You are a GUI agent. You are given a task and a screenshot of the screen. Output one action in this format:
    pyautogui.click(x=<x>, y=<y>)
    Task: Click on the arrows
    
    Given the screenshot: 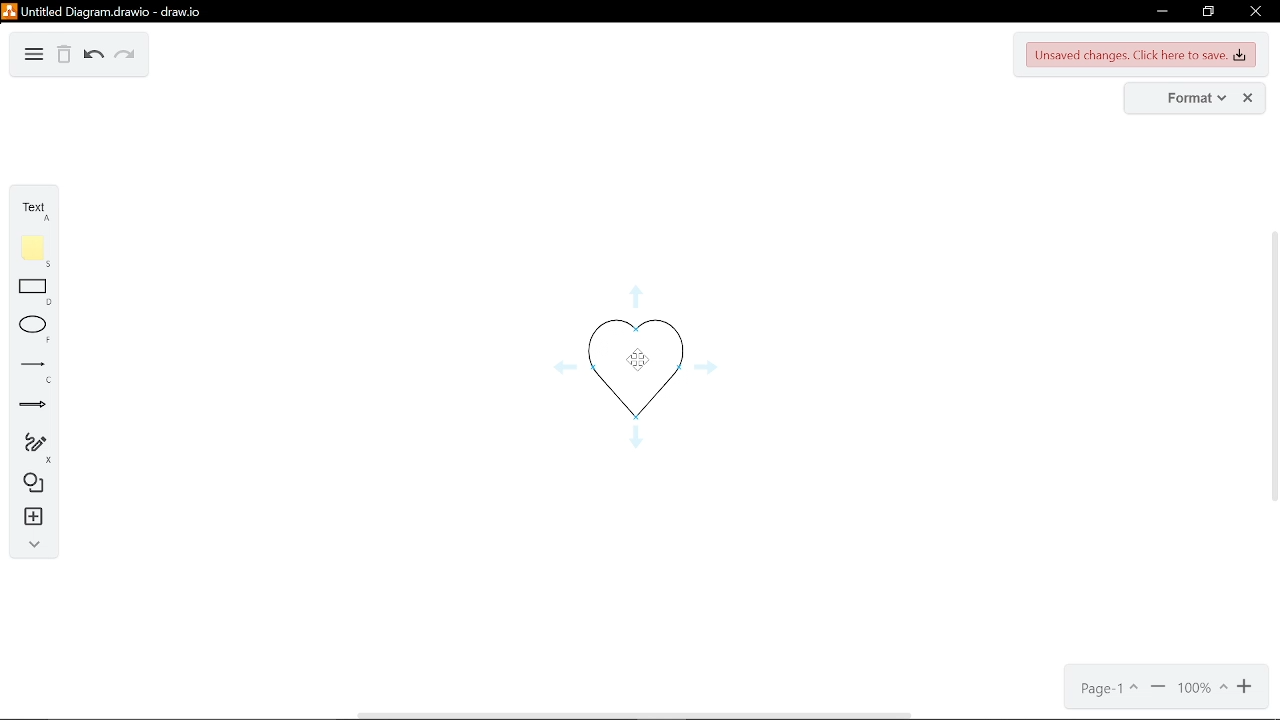 What is the action you would take?
    pyautogui.click(x=34, y=405)
    